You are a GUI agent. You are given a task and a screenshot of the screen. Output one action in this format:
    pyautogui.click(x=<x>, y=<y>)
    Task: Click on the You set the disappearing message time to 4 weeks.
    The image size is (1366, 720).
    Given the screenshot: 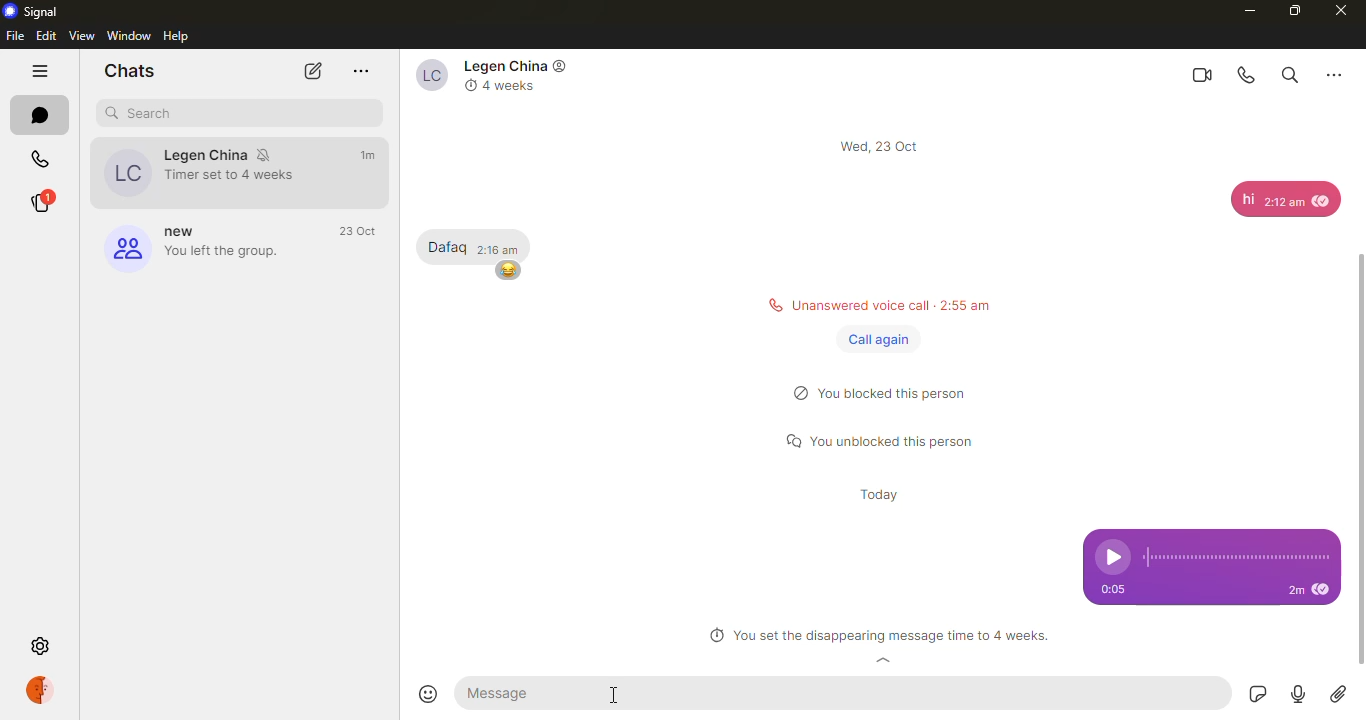 What is the action you would take?
    pyautogui.click(x=878, y=637)
    